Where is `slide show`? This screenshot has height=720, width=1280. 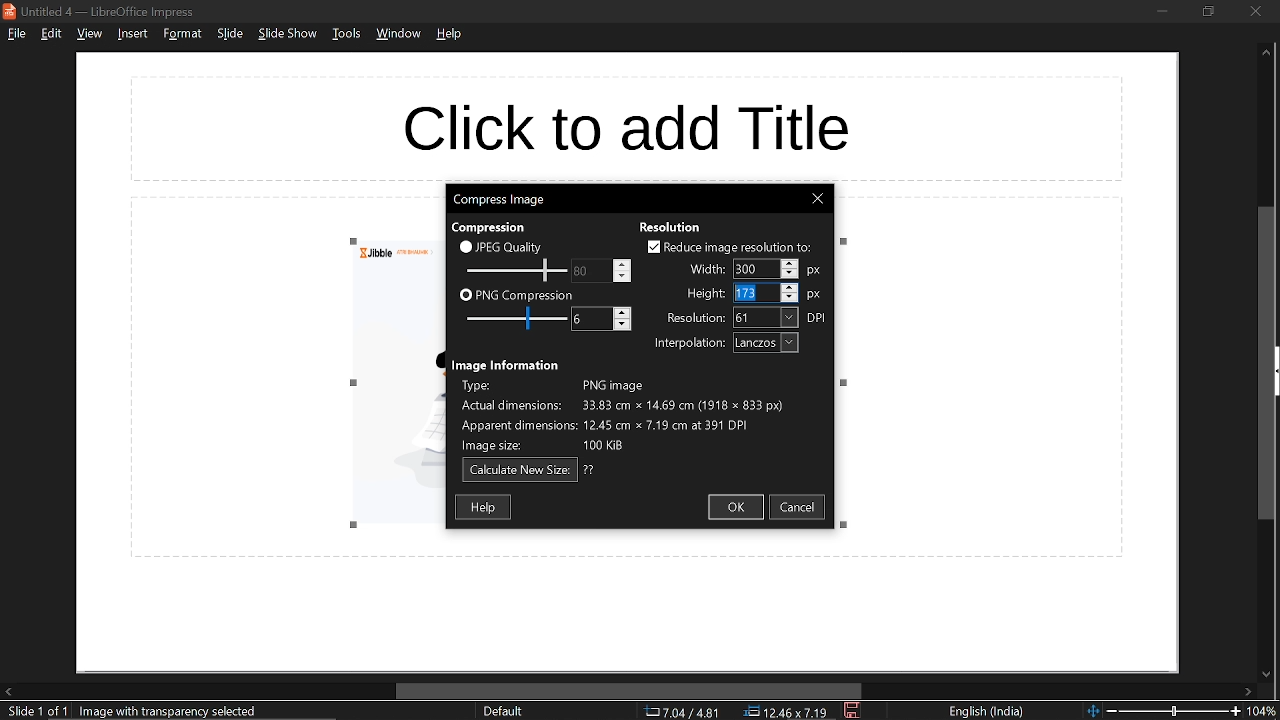
slide show is located at coordinates (288, 36).